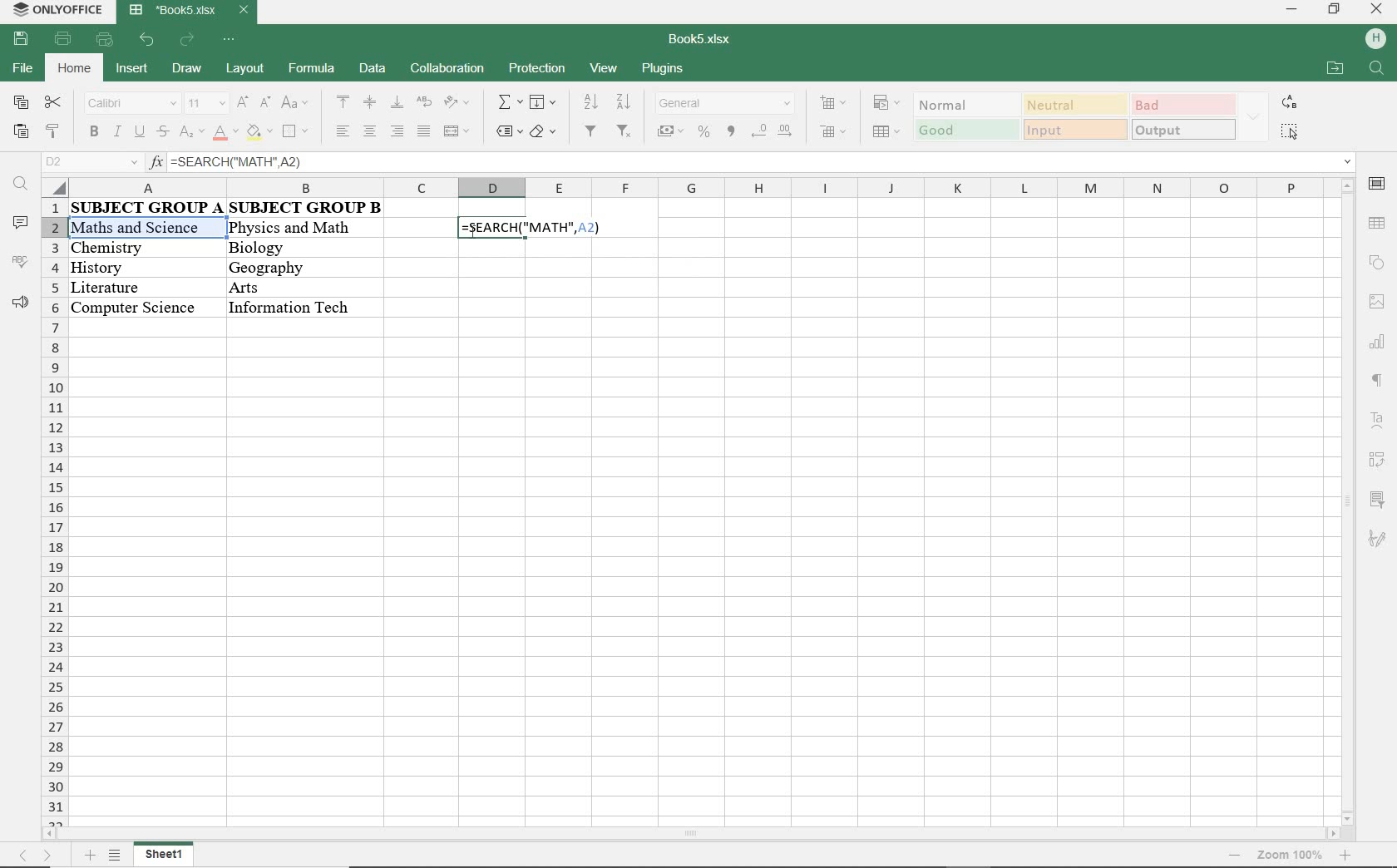 Image resolution: width=1397 pixels, height=868 pixels. Describe the element at coordinates (204, 104) in the screenshot. I see `font size` at that location.